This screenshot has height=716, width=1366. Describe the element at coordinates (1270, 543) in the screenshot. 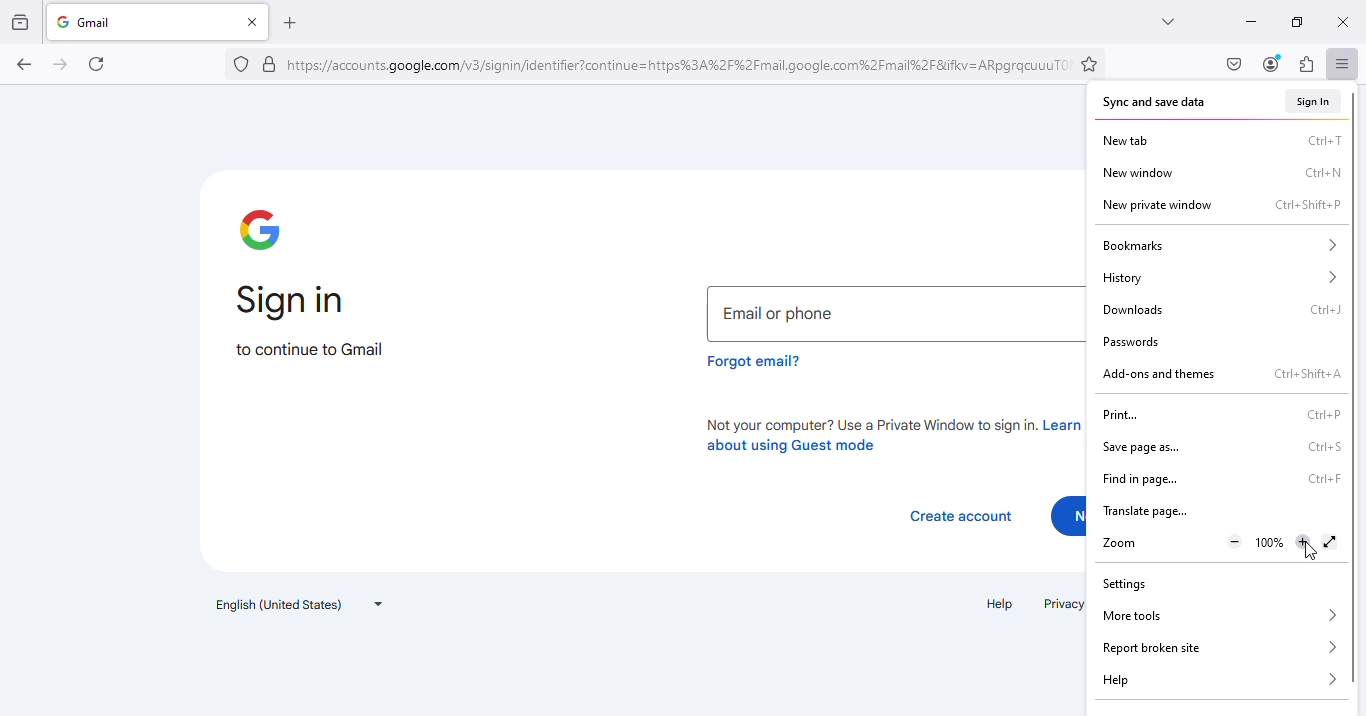

I see `Current zoom level` at that location.